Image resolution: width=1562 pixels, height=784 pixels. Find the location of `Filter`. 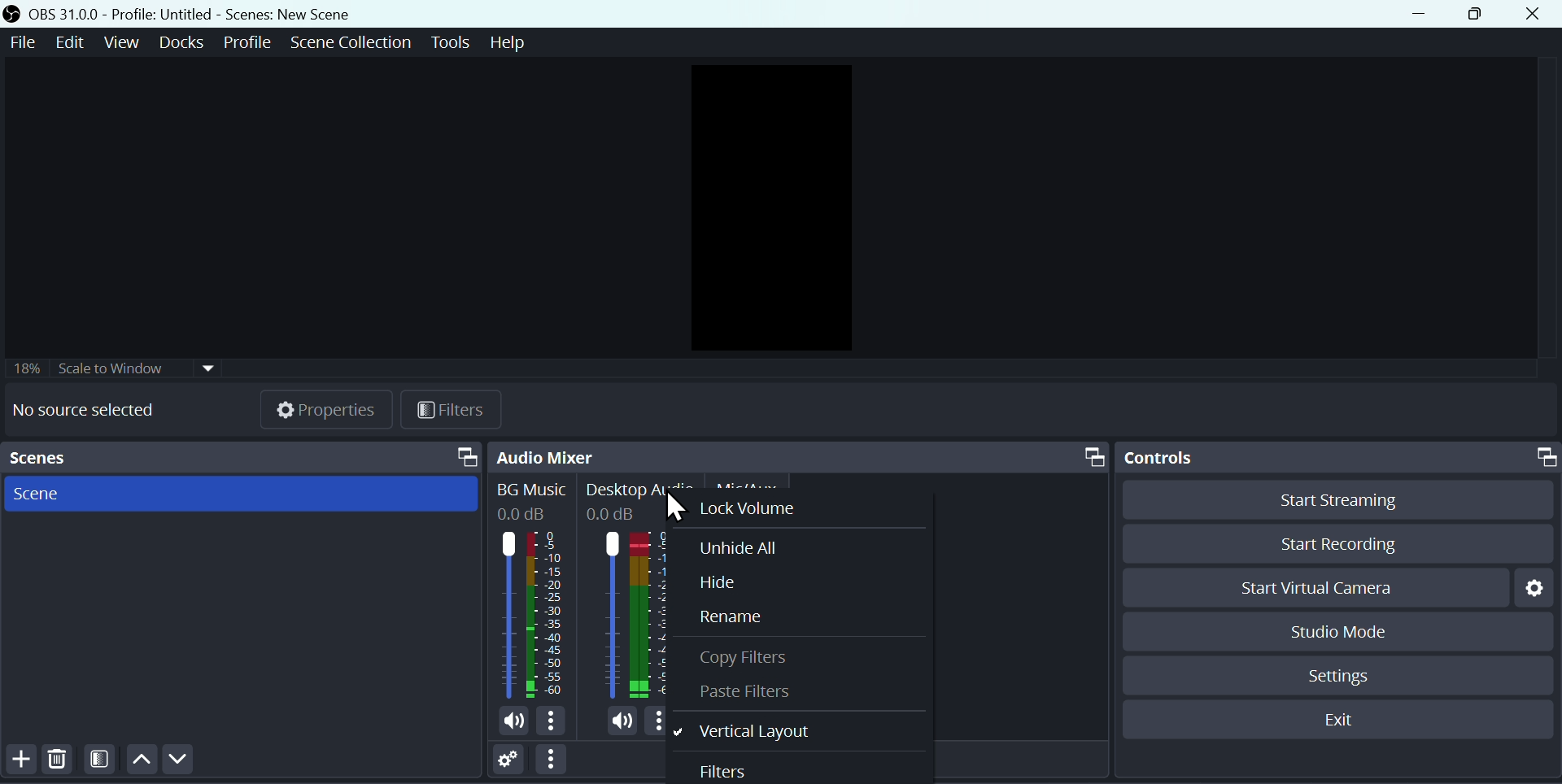

Filter is located at coordinates (101, 761).